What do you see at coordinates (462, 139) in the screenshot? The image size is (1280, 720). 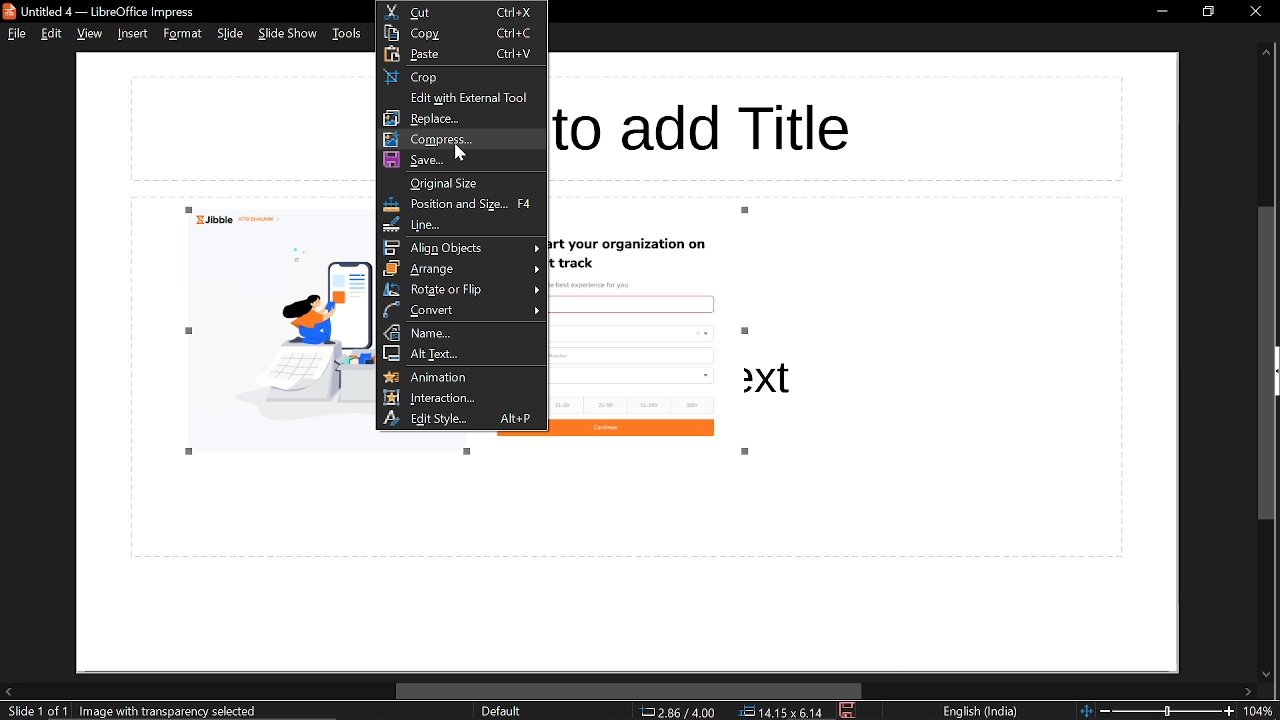 I see `compress` at bounding box center [462, 139].